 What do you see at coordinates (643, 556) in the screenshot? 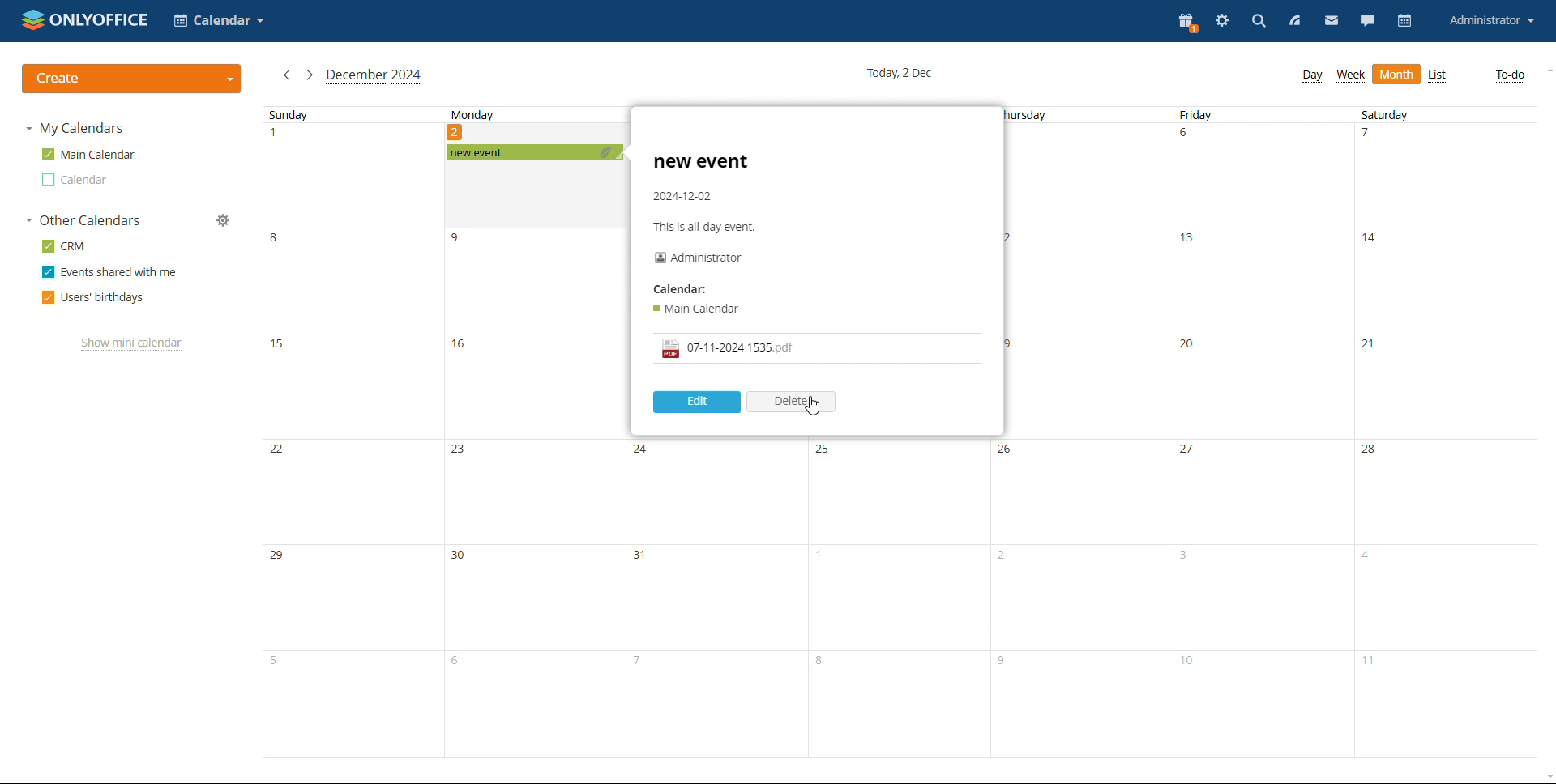
I see `31` at bounding box center [643, 556].